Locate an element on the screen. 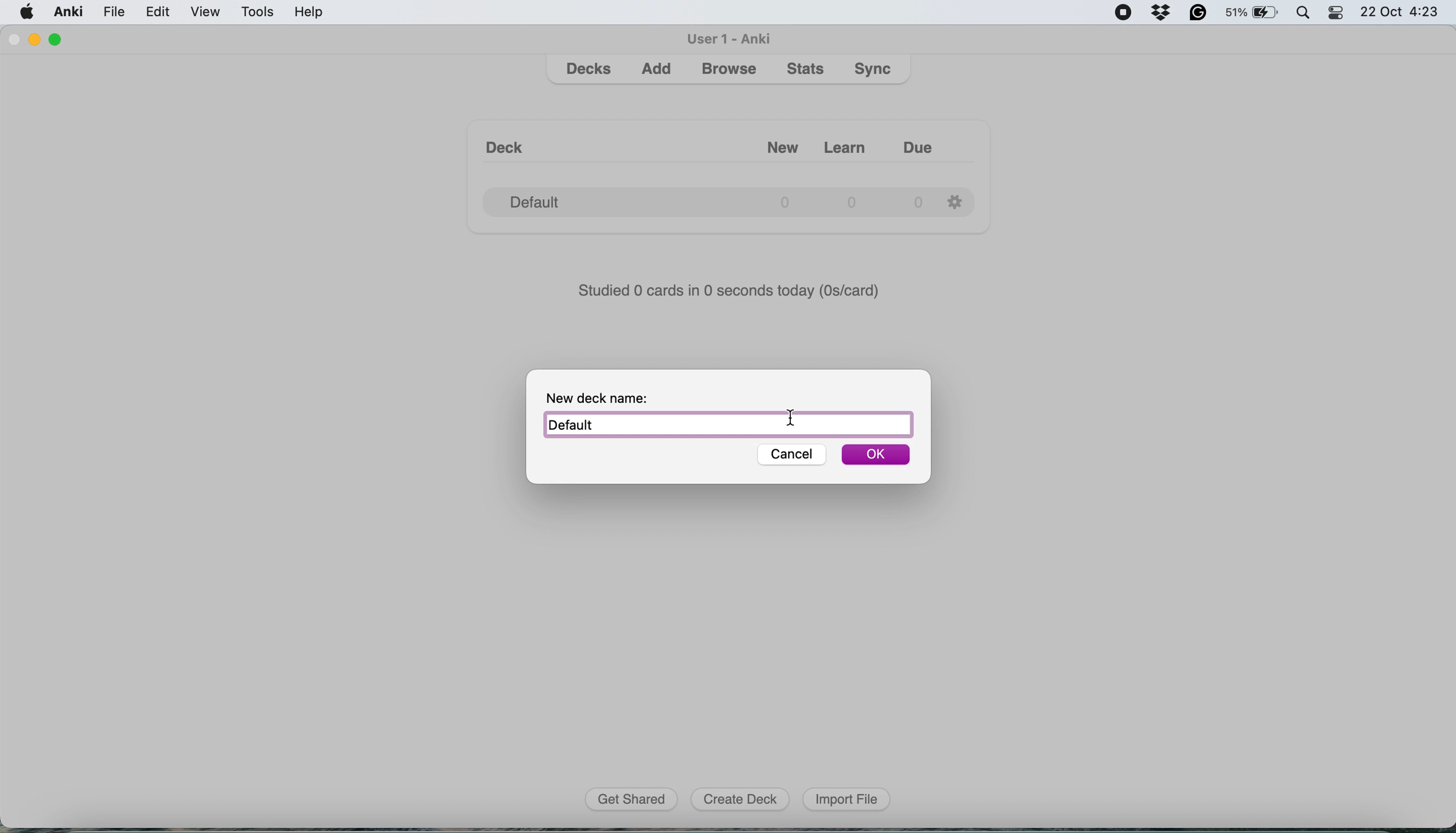  spotlight search is located at coordinates (1304, 15).